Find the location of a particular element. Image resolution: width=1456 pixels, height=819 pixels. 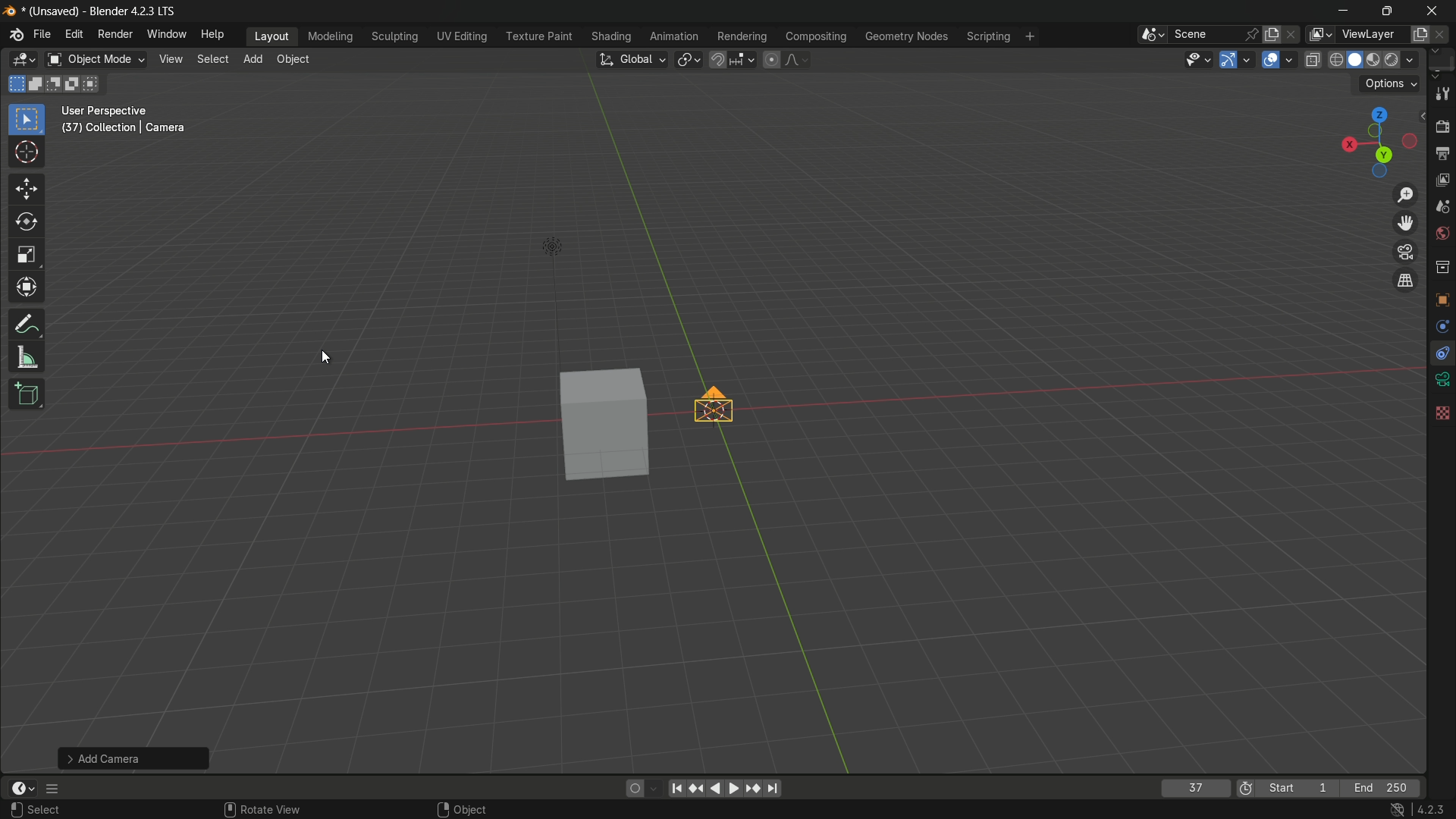

more options is located at coordinates (60, 789).